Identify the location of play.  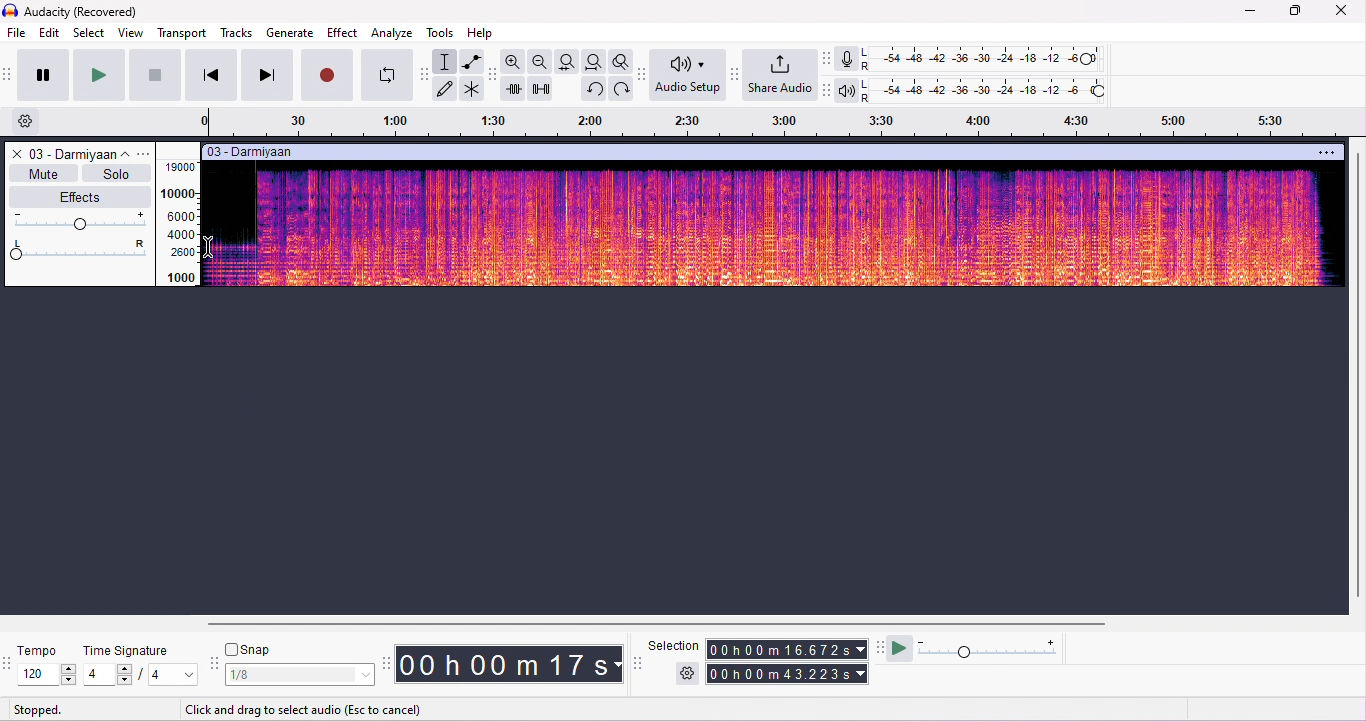
(98, 75).